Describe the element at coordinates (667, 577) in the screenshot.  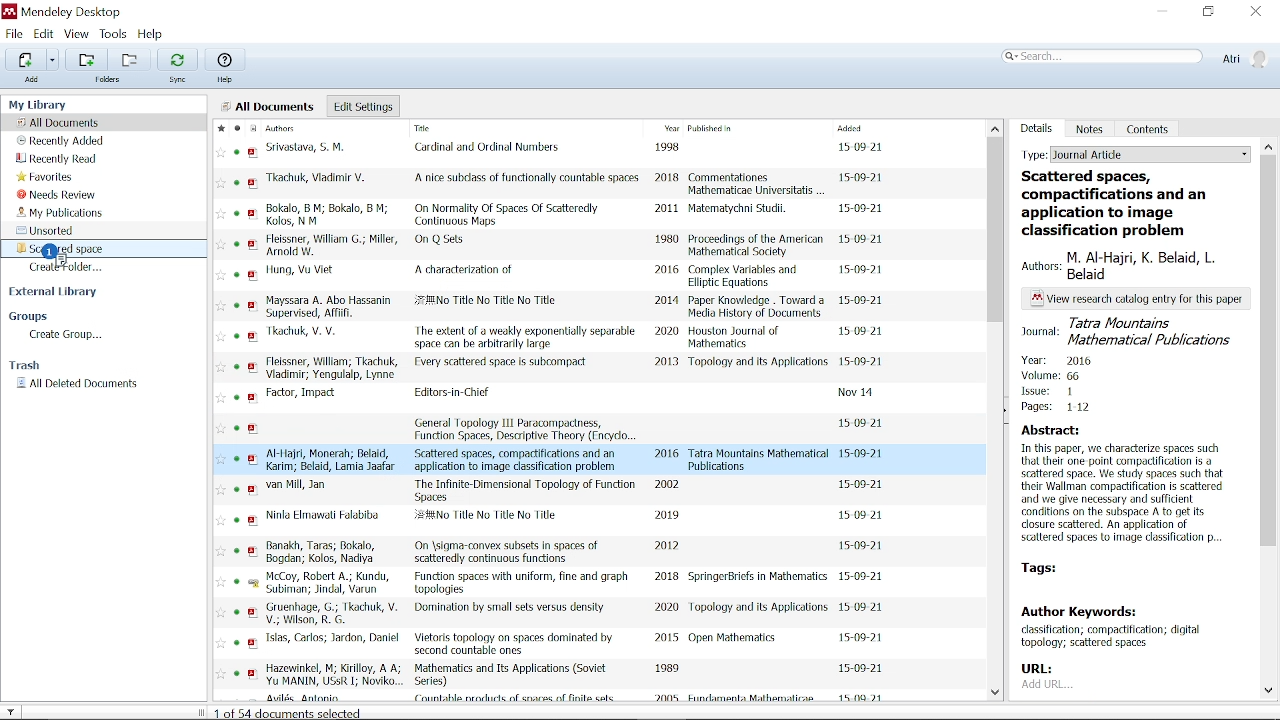
I see `2018` at that location.